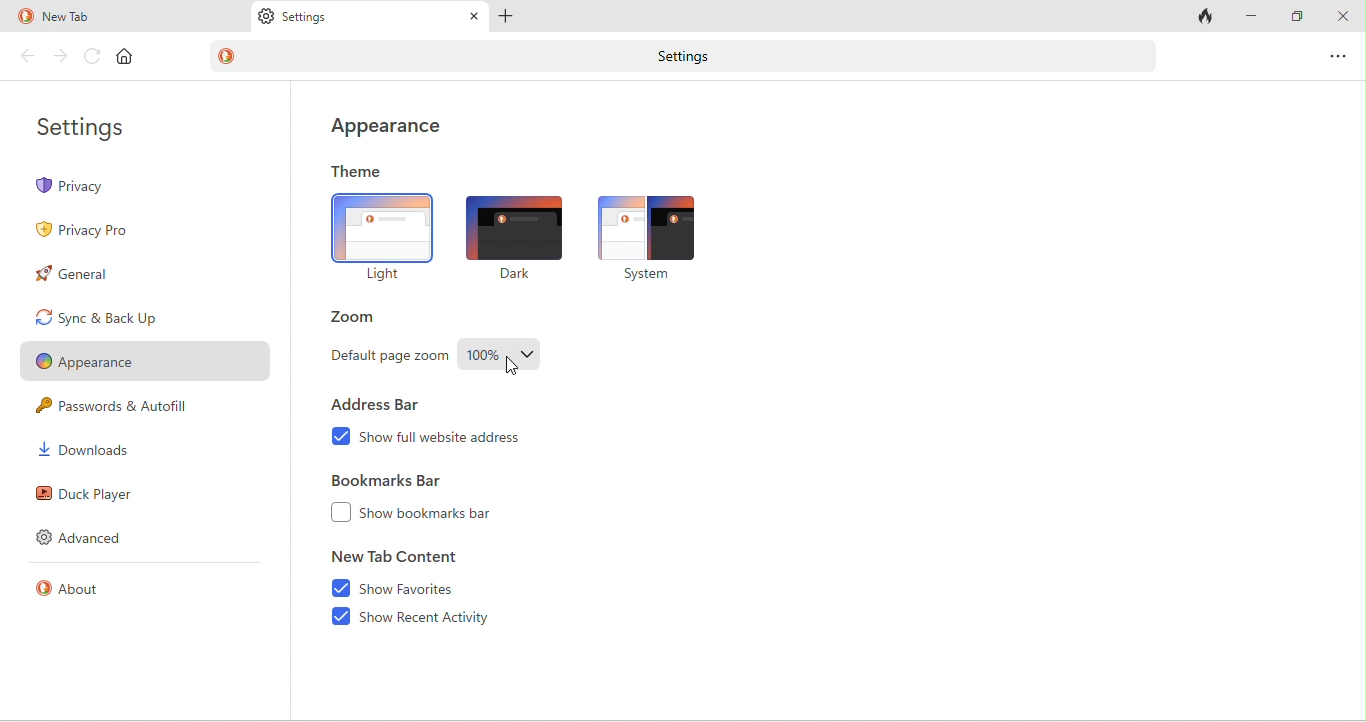 The width and height of the screenshot is (1366, 722). Describe the element at coordinates (126, 57) in the screenshot. I see `home` at that location.